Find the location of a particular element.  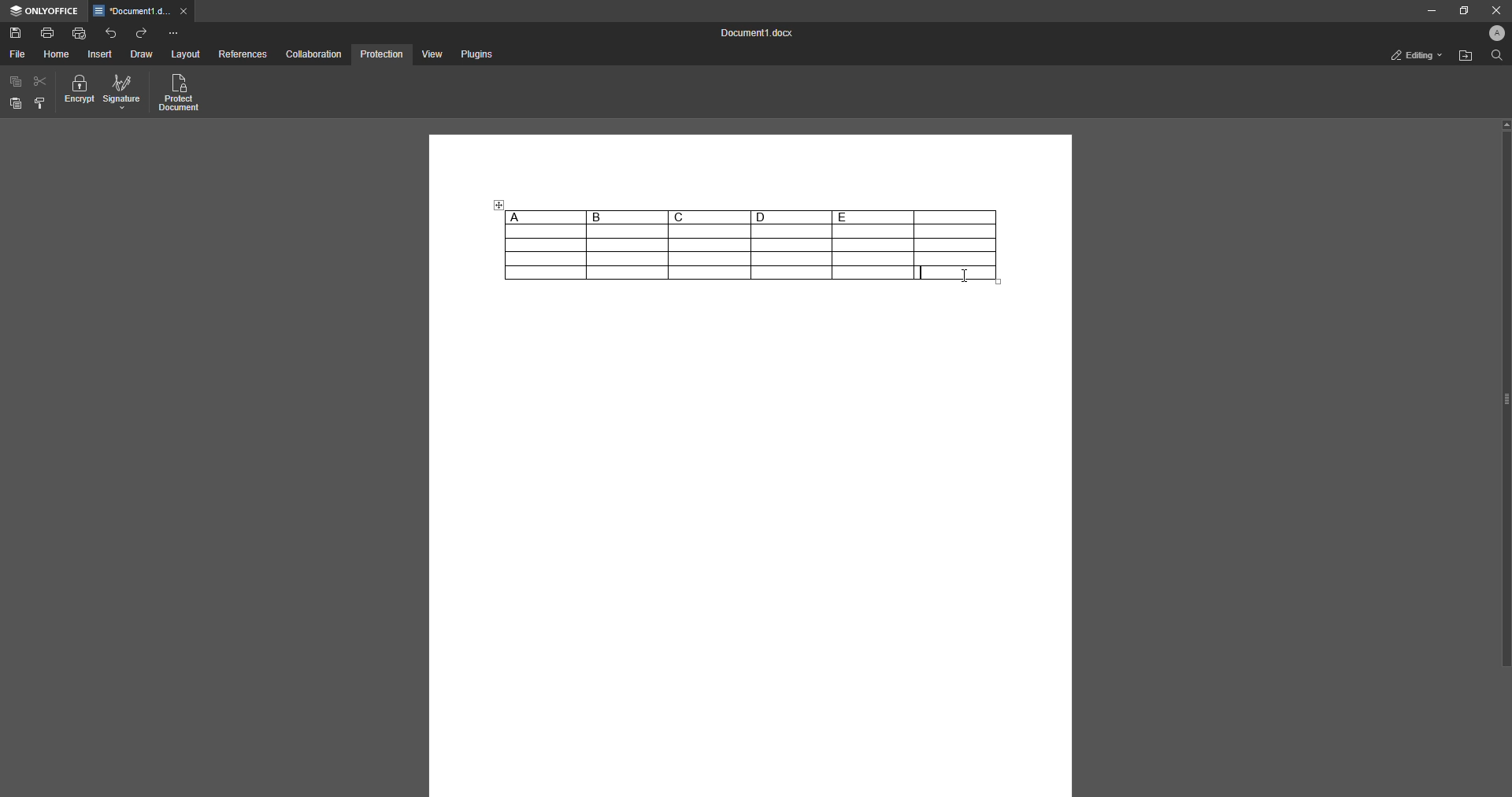

layout is located at coordinates (187, 55).